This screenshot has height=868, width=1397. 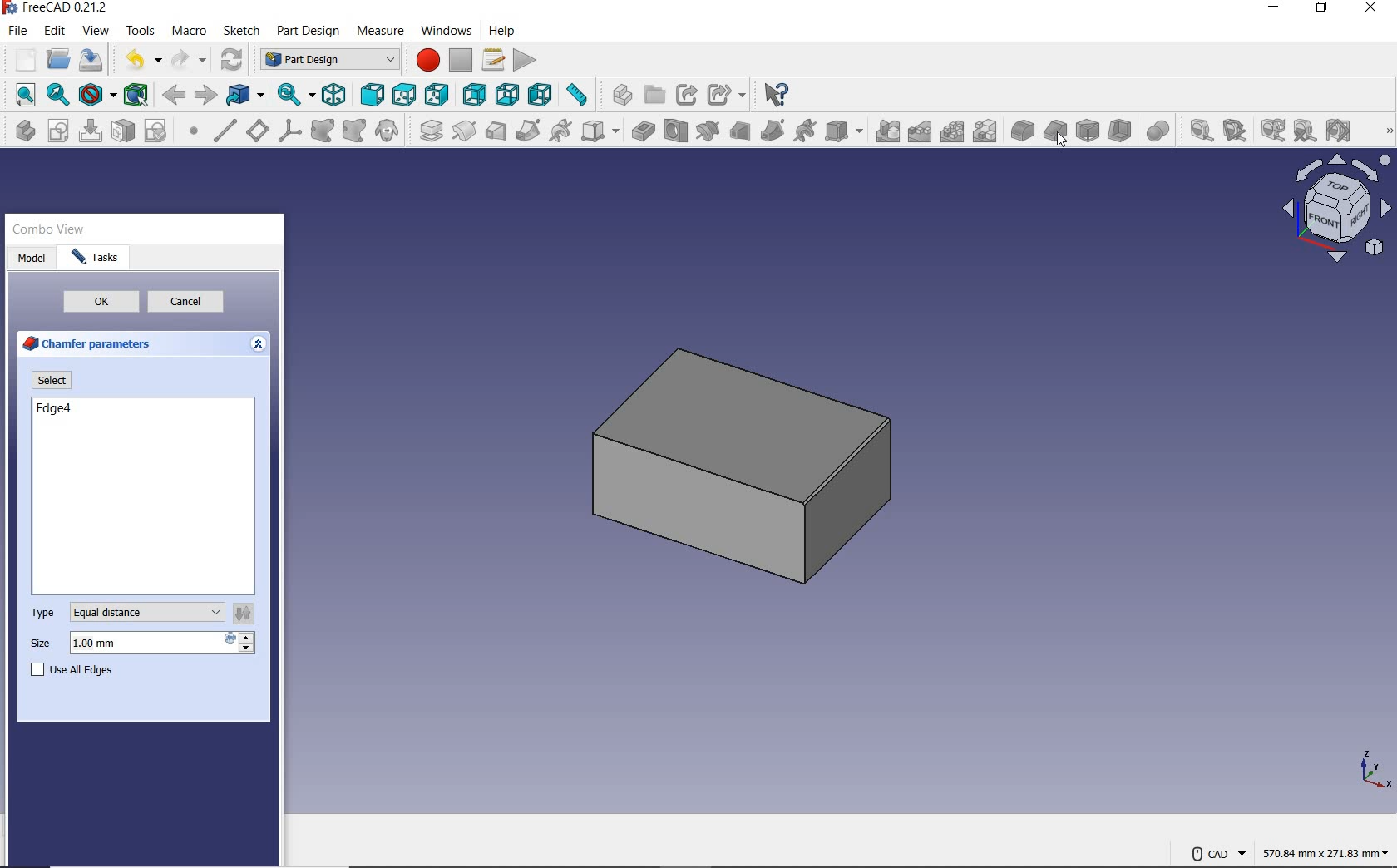 I want to click on create multitransform, so click(x=985, y=133).